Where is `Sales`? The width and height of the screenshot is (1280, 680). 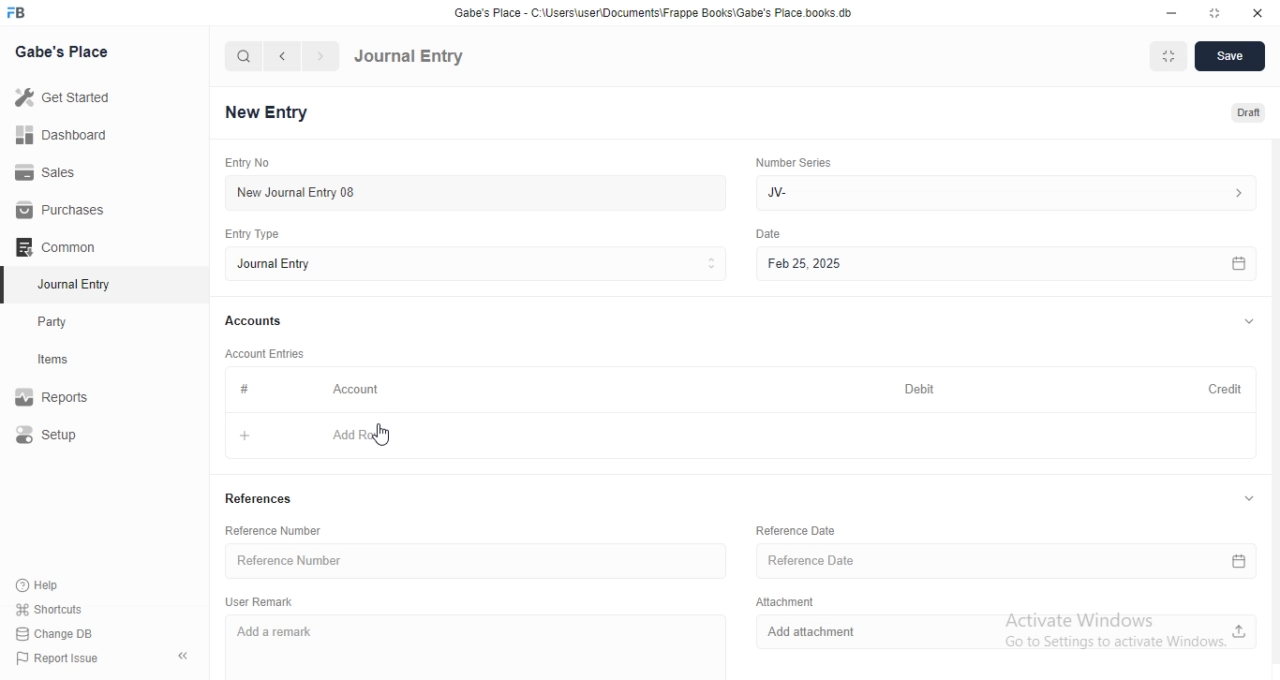 Sales is located at coordinates (57, 173).